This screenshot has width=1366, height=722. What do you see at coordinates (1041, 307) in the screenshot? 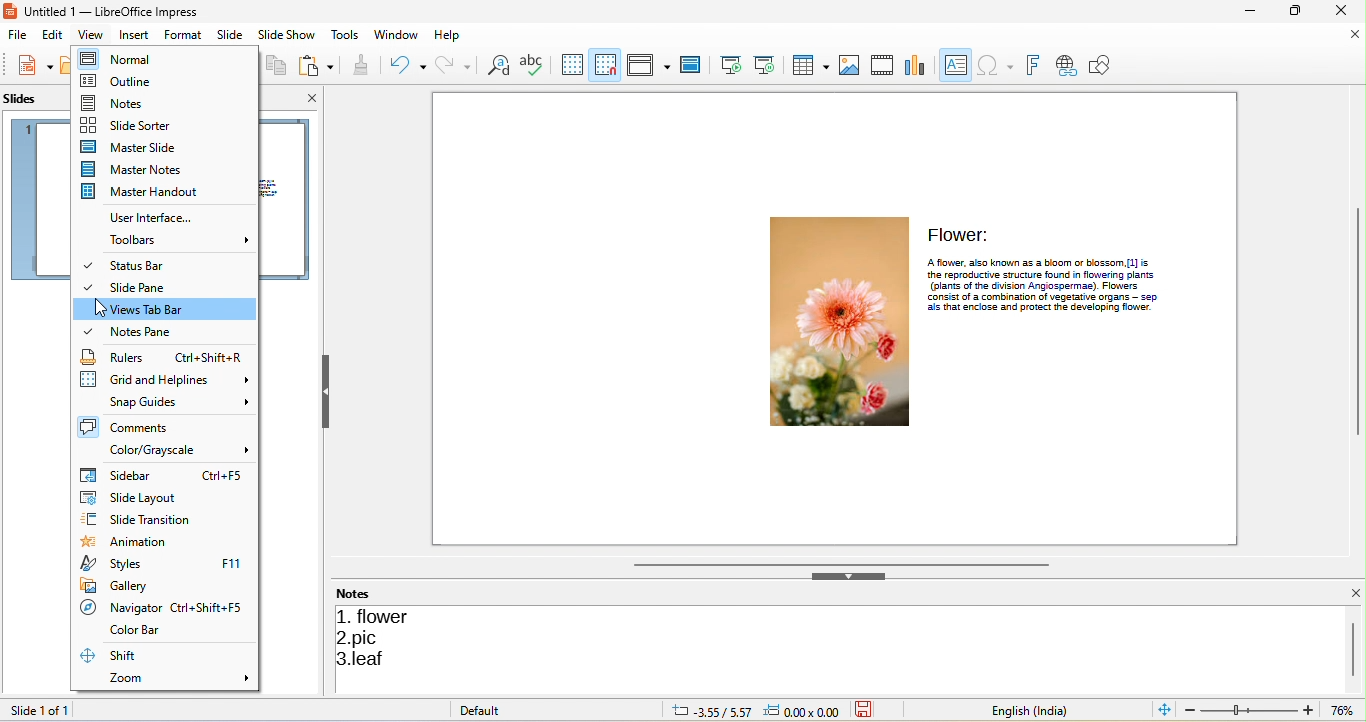
I see `poe ‘als that enclose and protect the geveloping flower.` at bounding box center [1041, 307].